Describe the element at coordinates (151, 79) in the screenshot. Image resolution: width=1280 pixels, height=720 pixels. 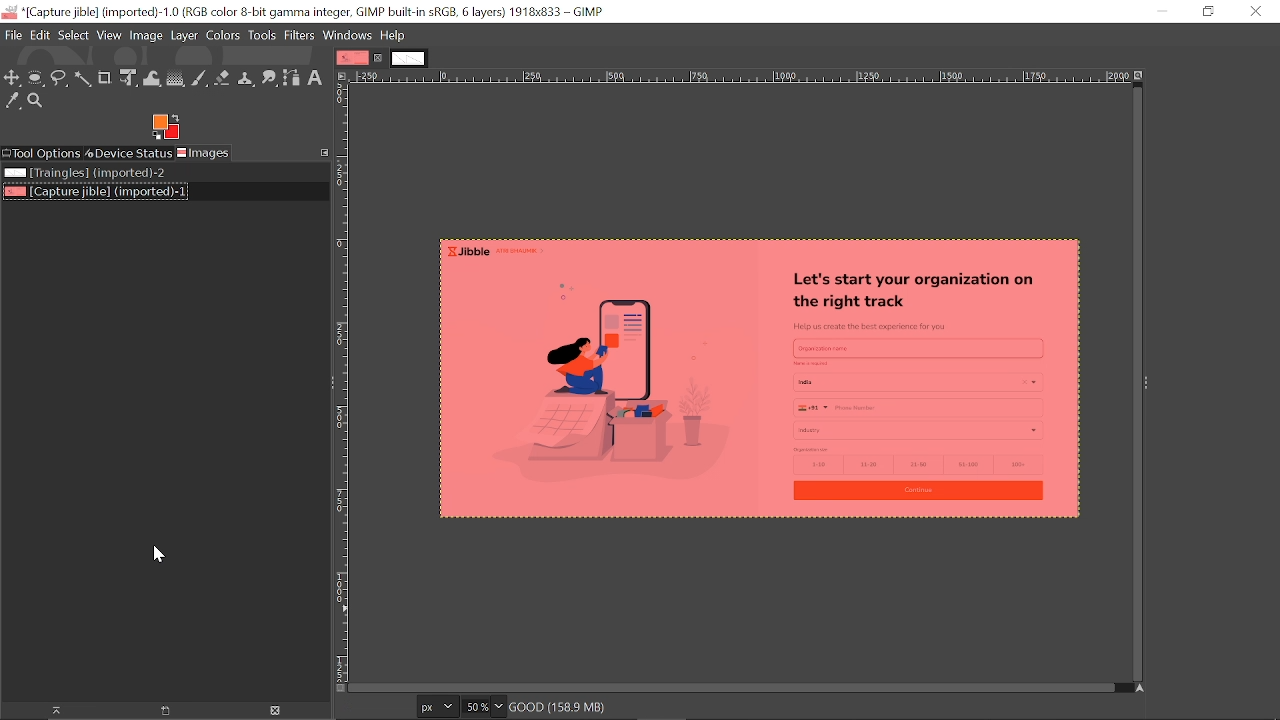
I see `Wrap text tool` at that location.